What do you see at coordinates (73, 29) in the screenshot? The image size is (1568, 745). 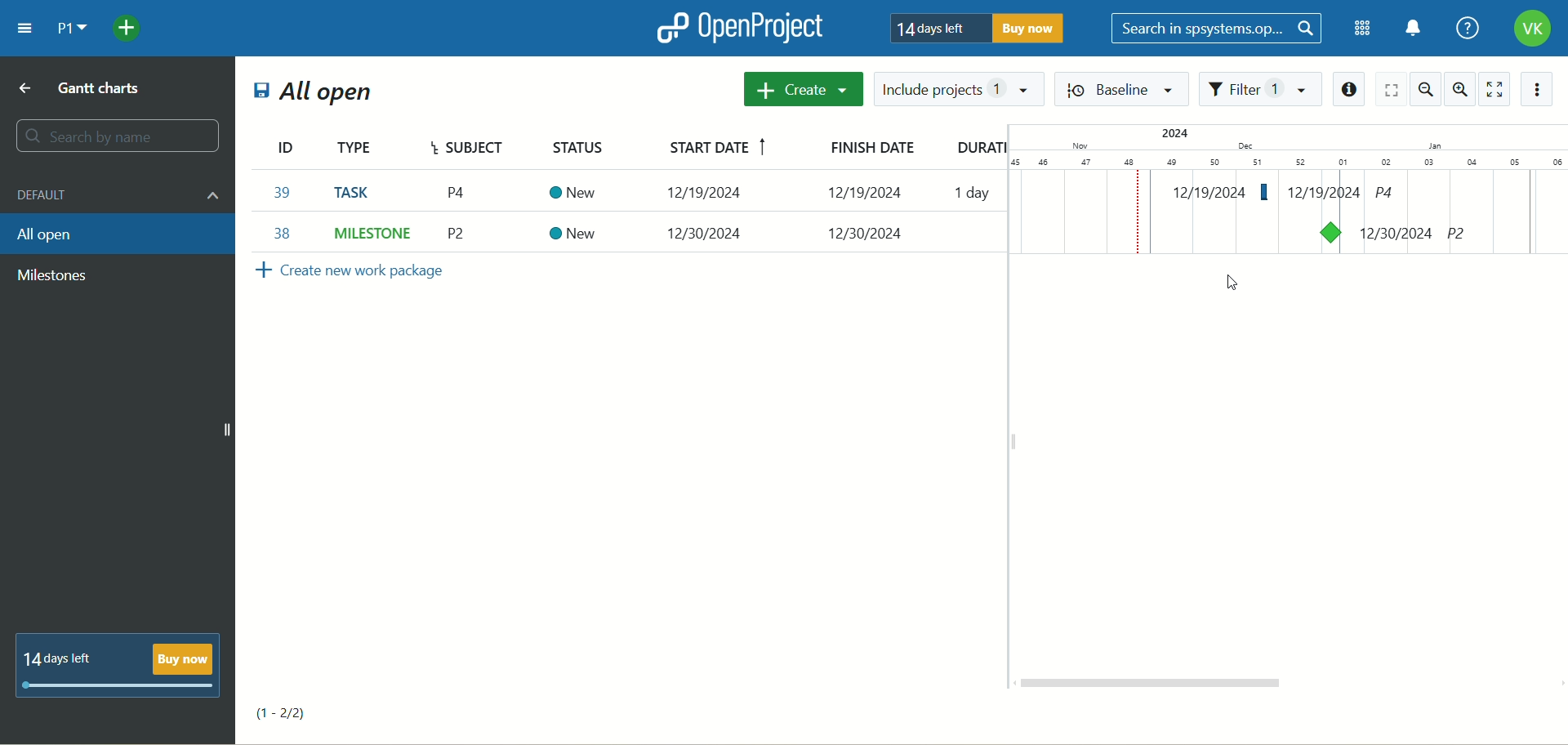 I see `project` at bounding box center [73, 29].